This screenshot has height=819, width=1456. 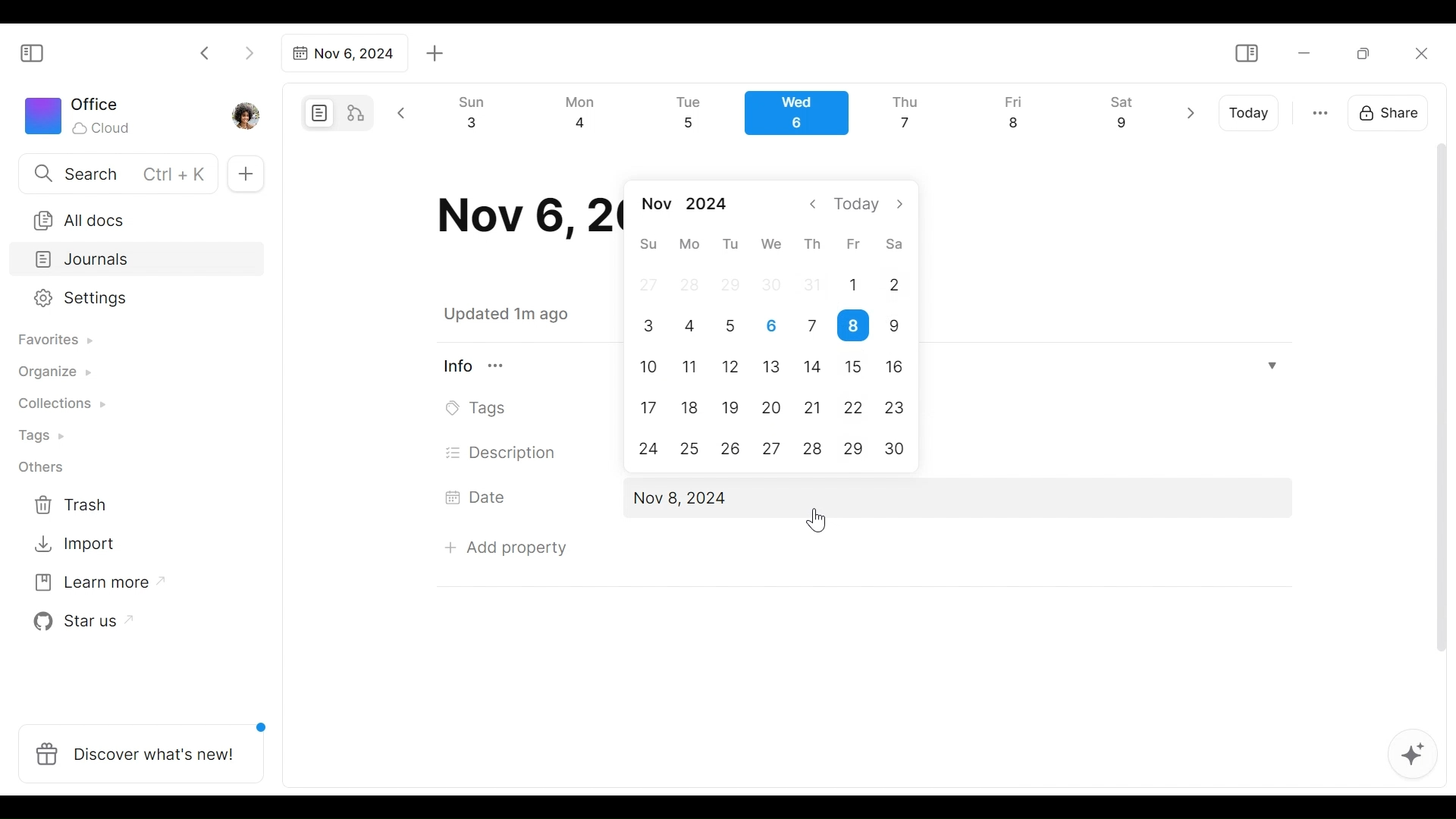 I want to click on cursor, so click(x=818, y=517).